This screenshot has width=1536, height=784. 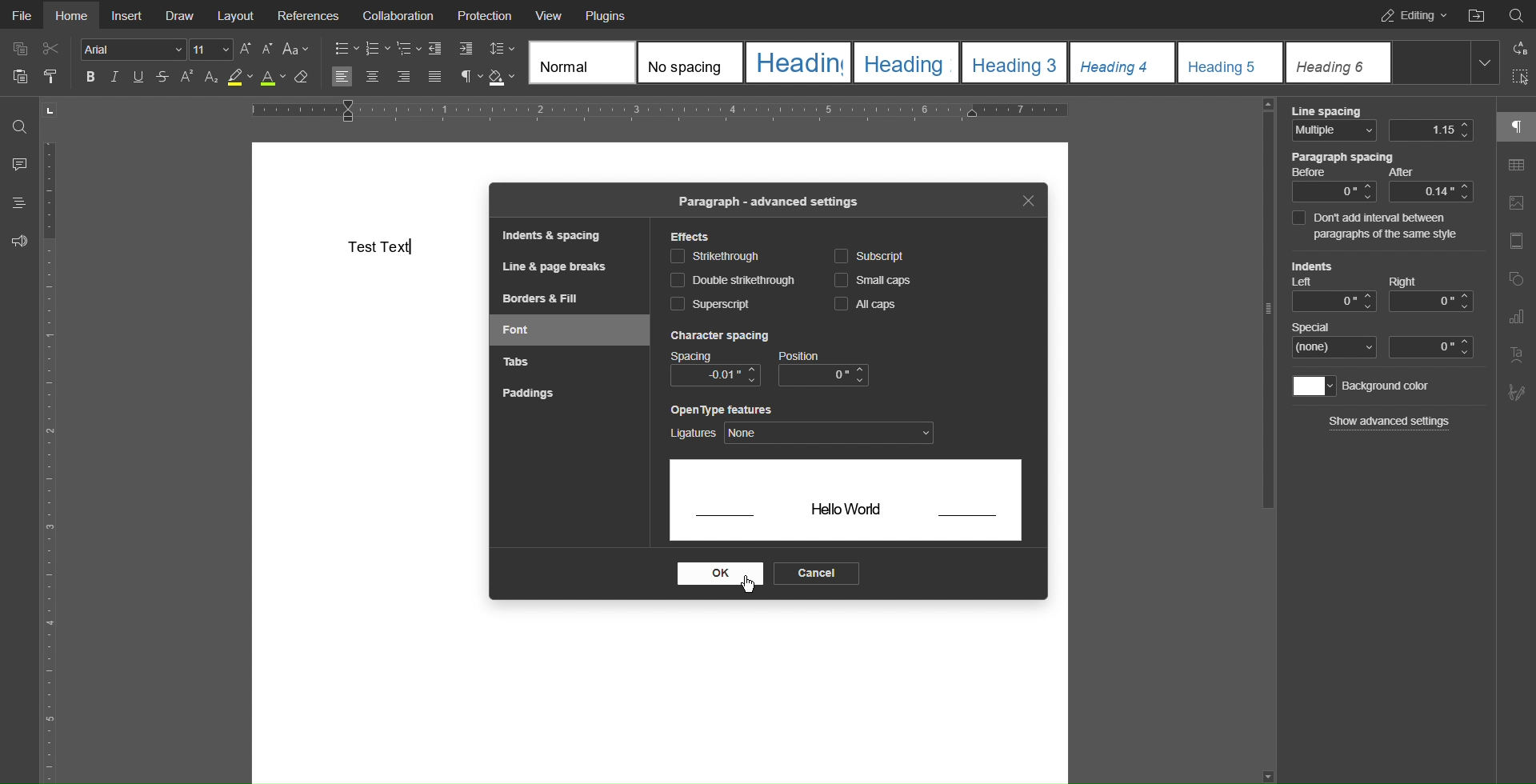 I want to click on Italics, so click(x=117, y=78).